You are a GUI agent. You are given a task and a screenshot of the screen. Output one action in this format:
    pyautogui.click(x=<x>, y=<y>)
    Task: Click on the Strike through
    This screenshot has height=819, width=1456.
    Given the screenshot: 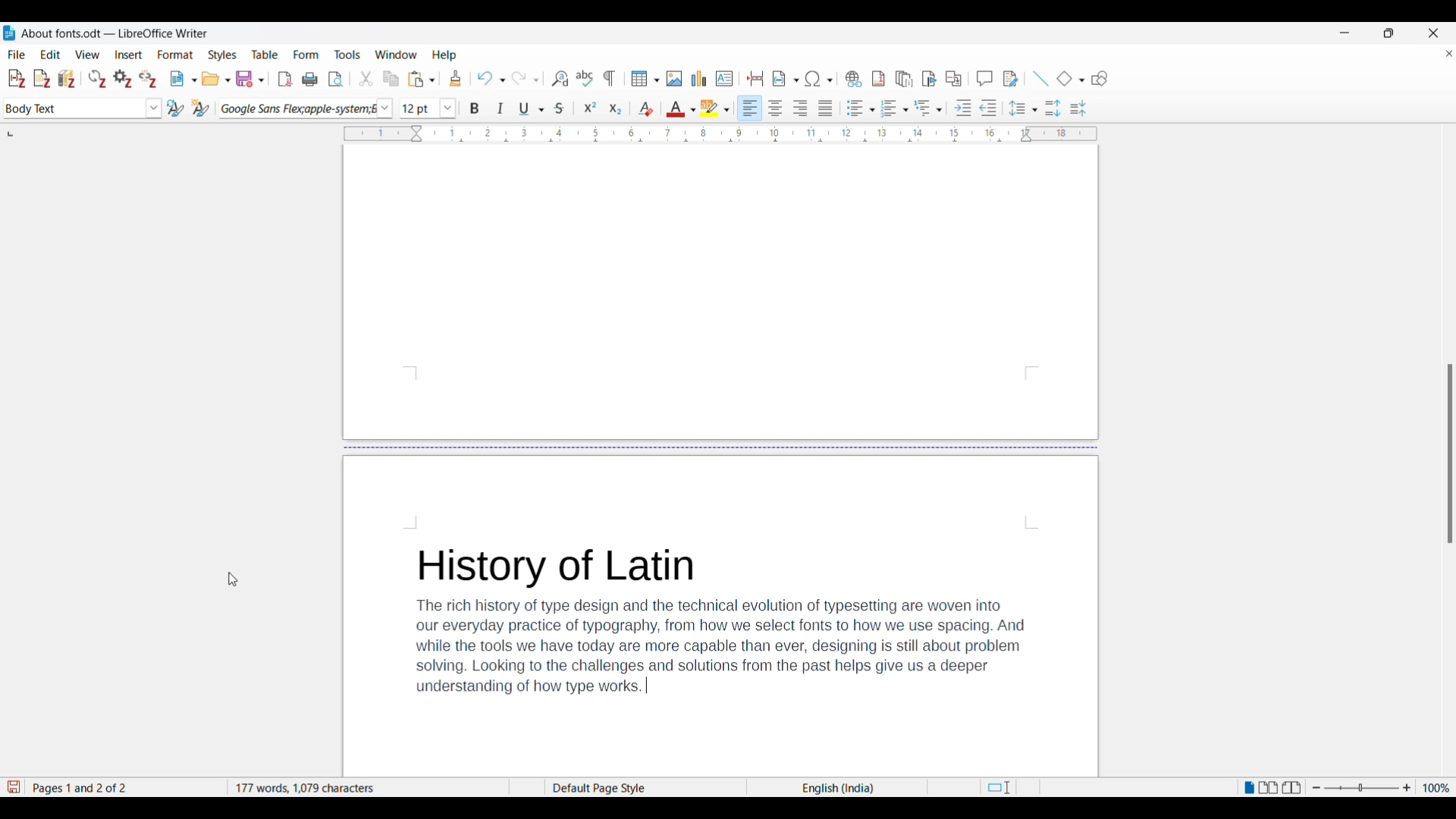 What is the action you would take?
    pyautogui.click(x=560, y=108)
    